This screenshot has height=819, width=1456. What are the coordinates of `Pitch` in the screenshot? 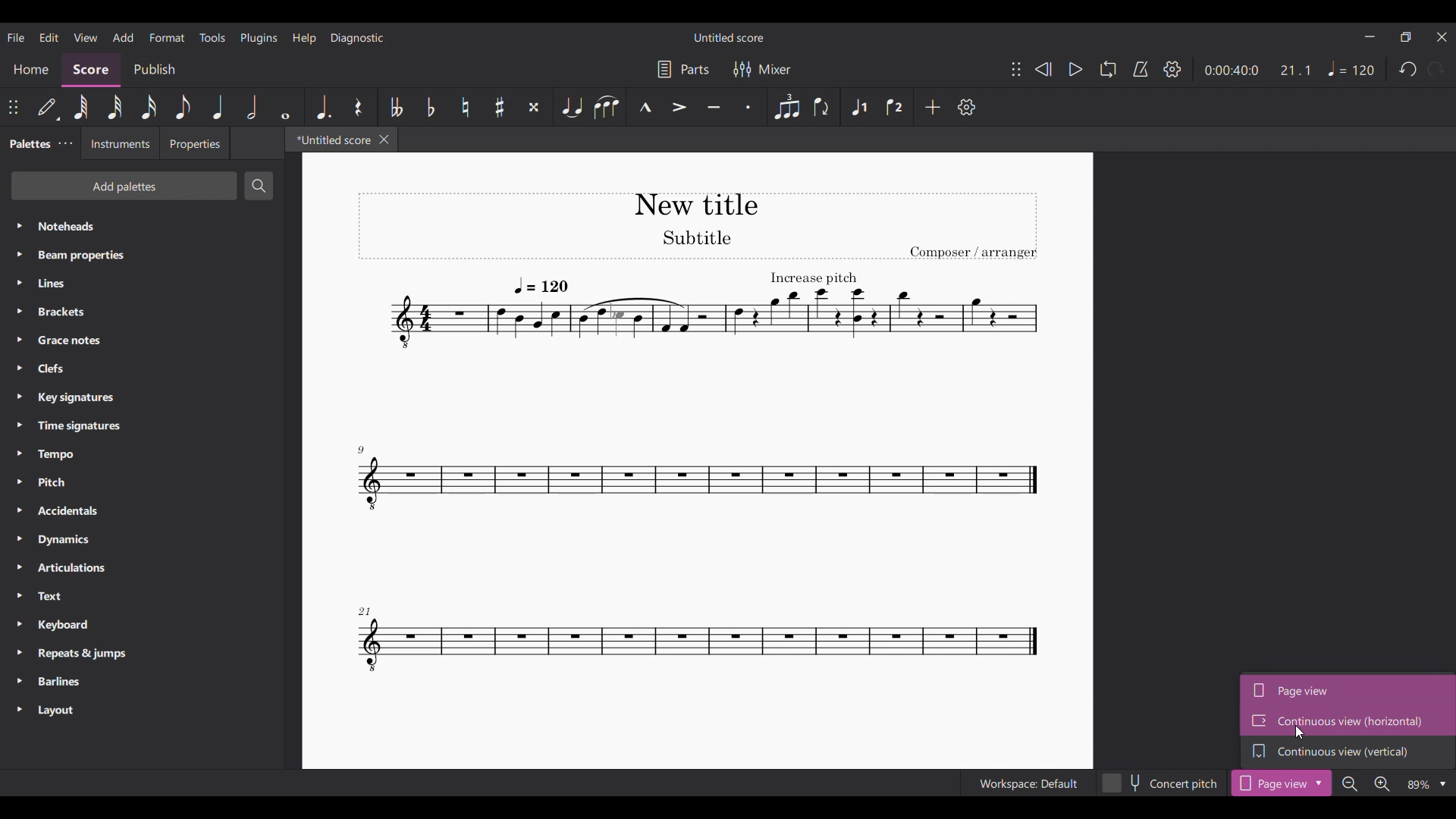 It's located at (142, 482).